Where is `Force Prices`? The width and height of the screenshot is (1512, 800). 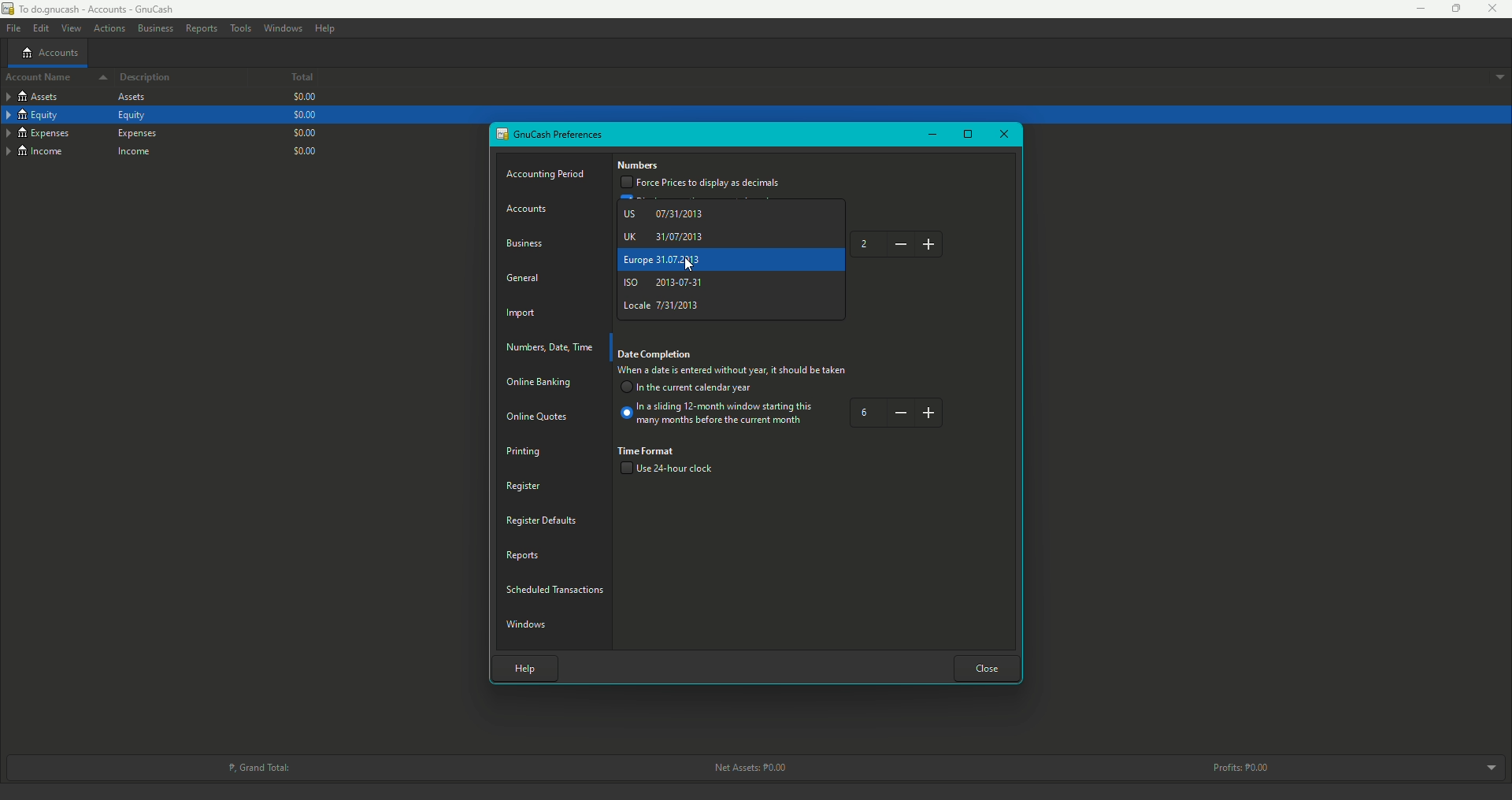
Force Prices is located at coordinates (701, 183).